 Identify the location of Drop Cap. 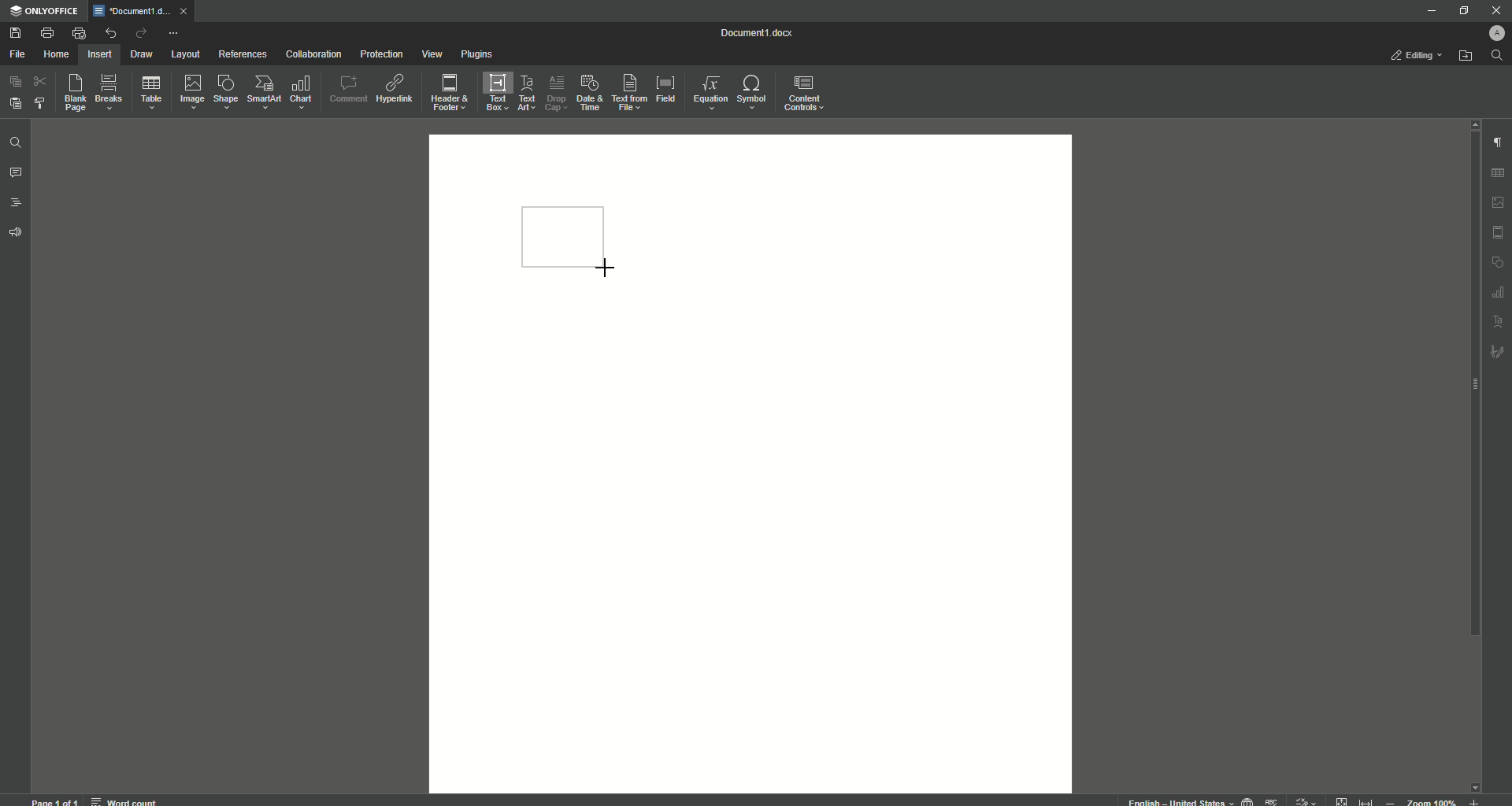
(554, 90).